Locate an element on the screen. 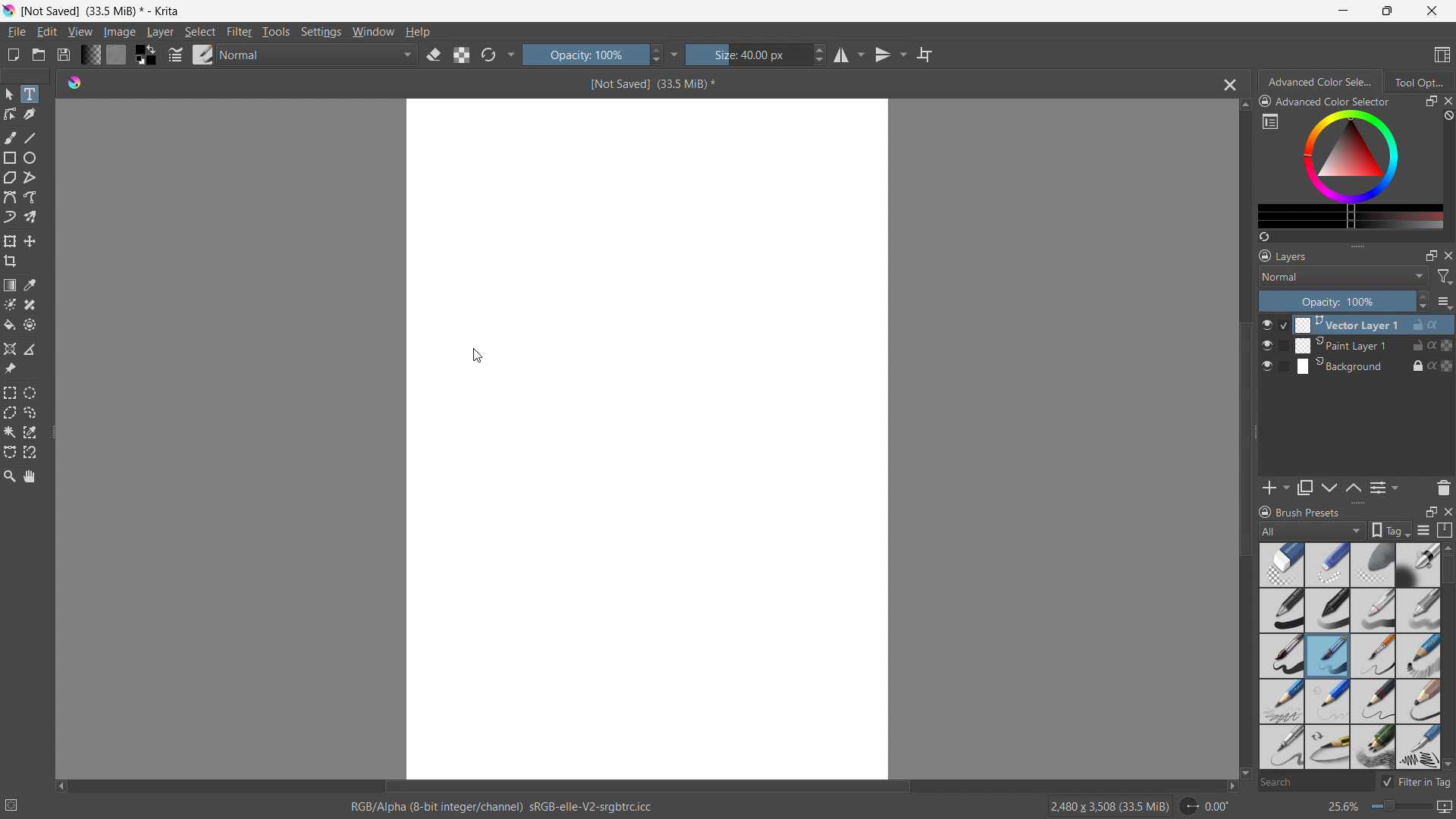 The height and width of the screenshot is (819, 1456). size is located at coordinates (756, 55).